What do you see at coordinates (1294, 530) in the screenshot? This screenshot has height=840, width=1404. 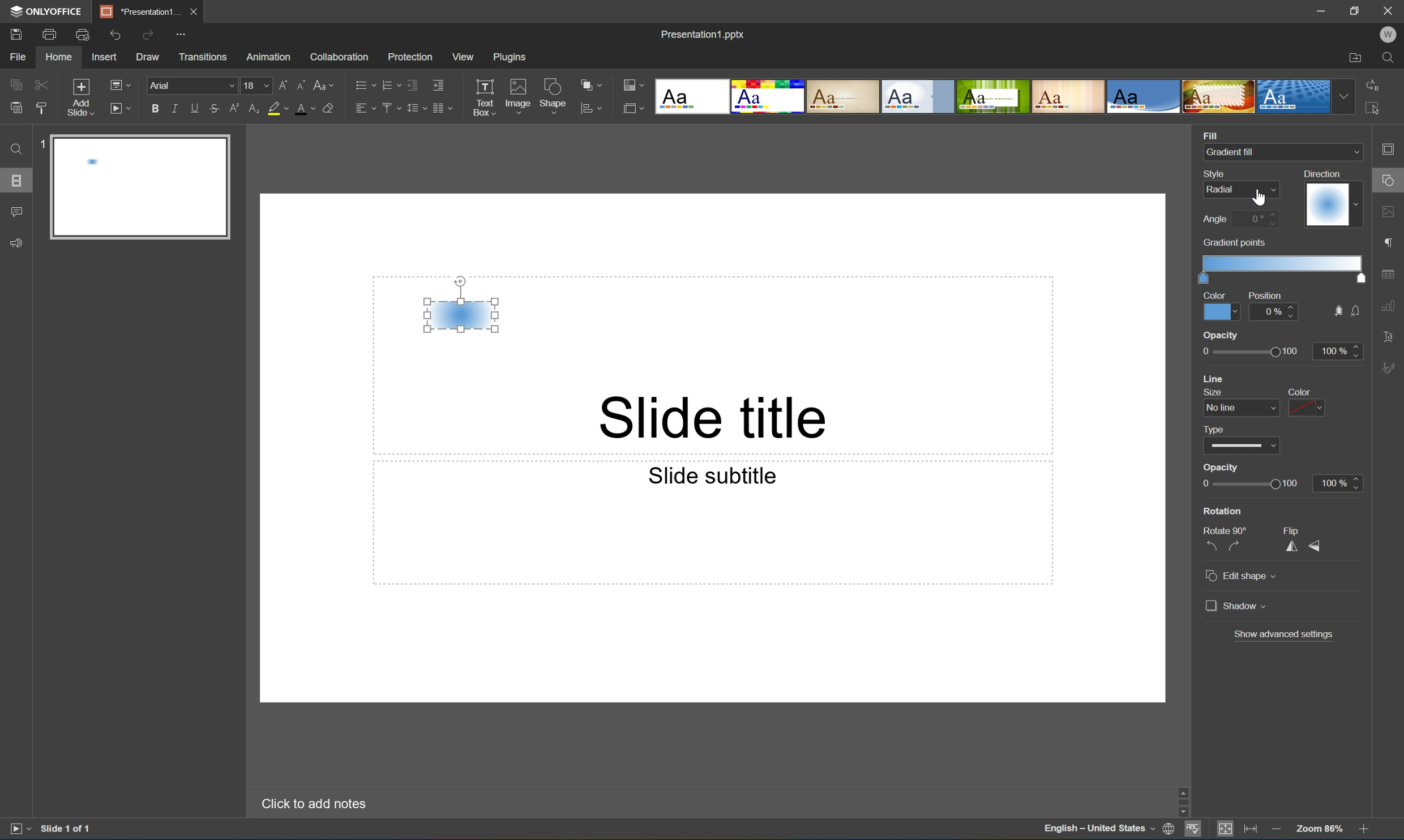 I see `Flip` at bounding box center [1294, 530].